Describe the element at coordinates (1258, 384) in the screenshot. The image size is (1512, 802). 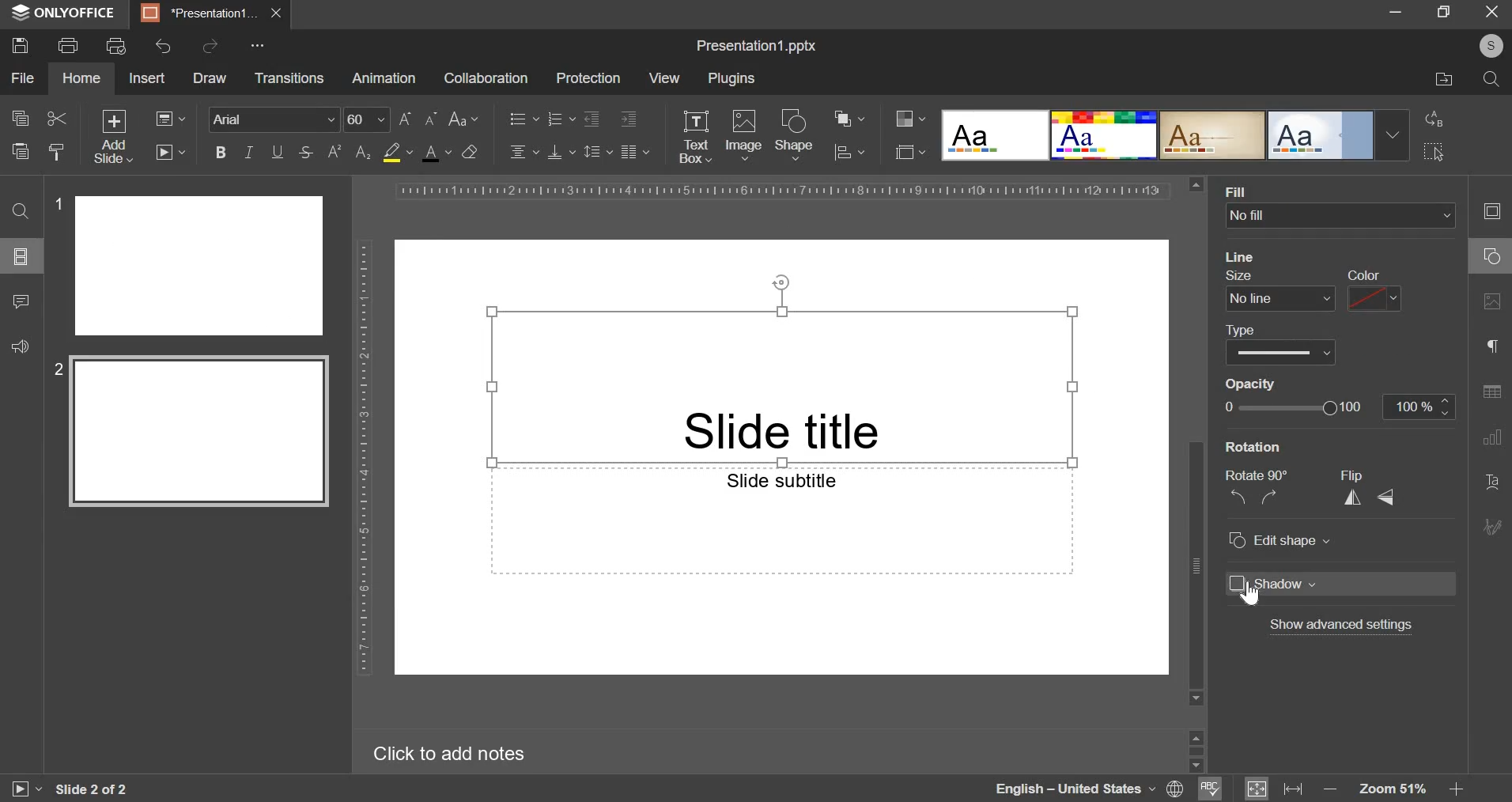
I see `opacity` at that location.